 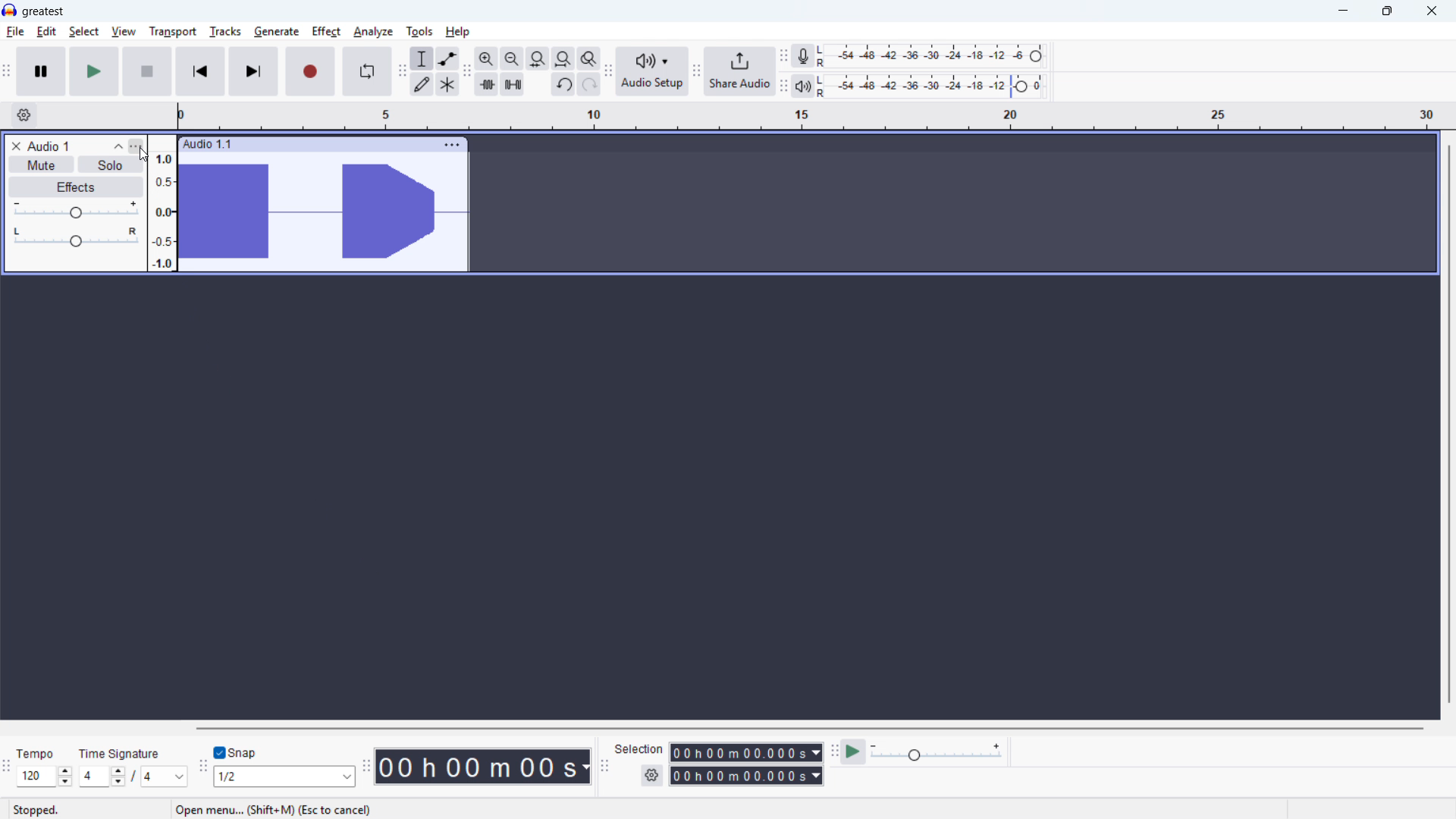 I want to click on selection start time, so click(x=747, y=753).